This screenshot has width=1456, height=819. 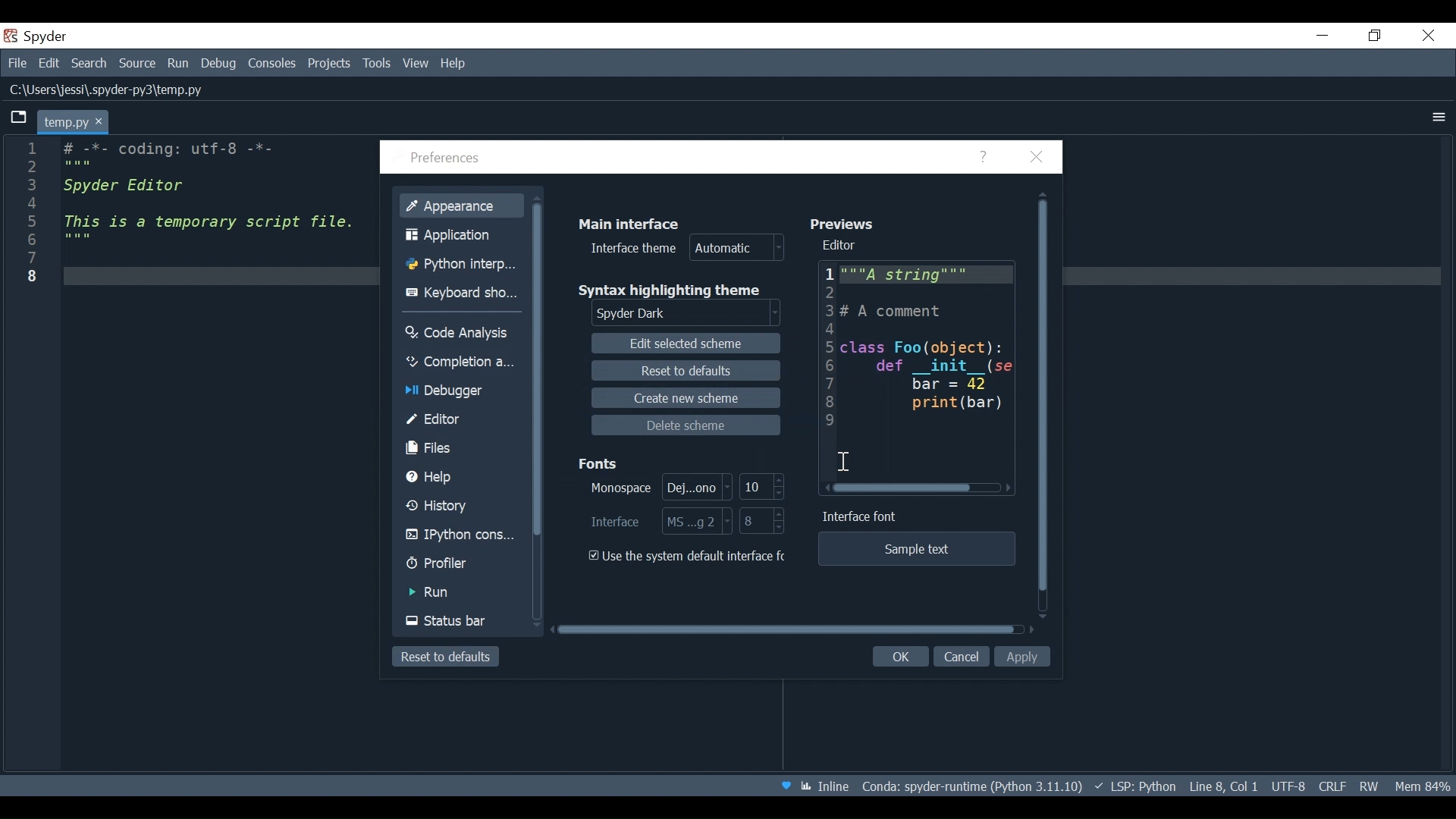 What do you see at coordinates (463, 621) in the screenshot?
I see `Status bar` at bounding box center [463, 621].